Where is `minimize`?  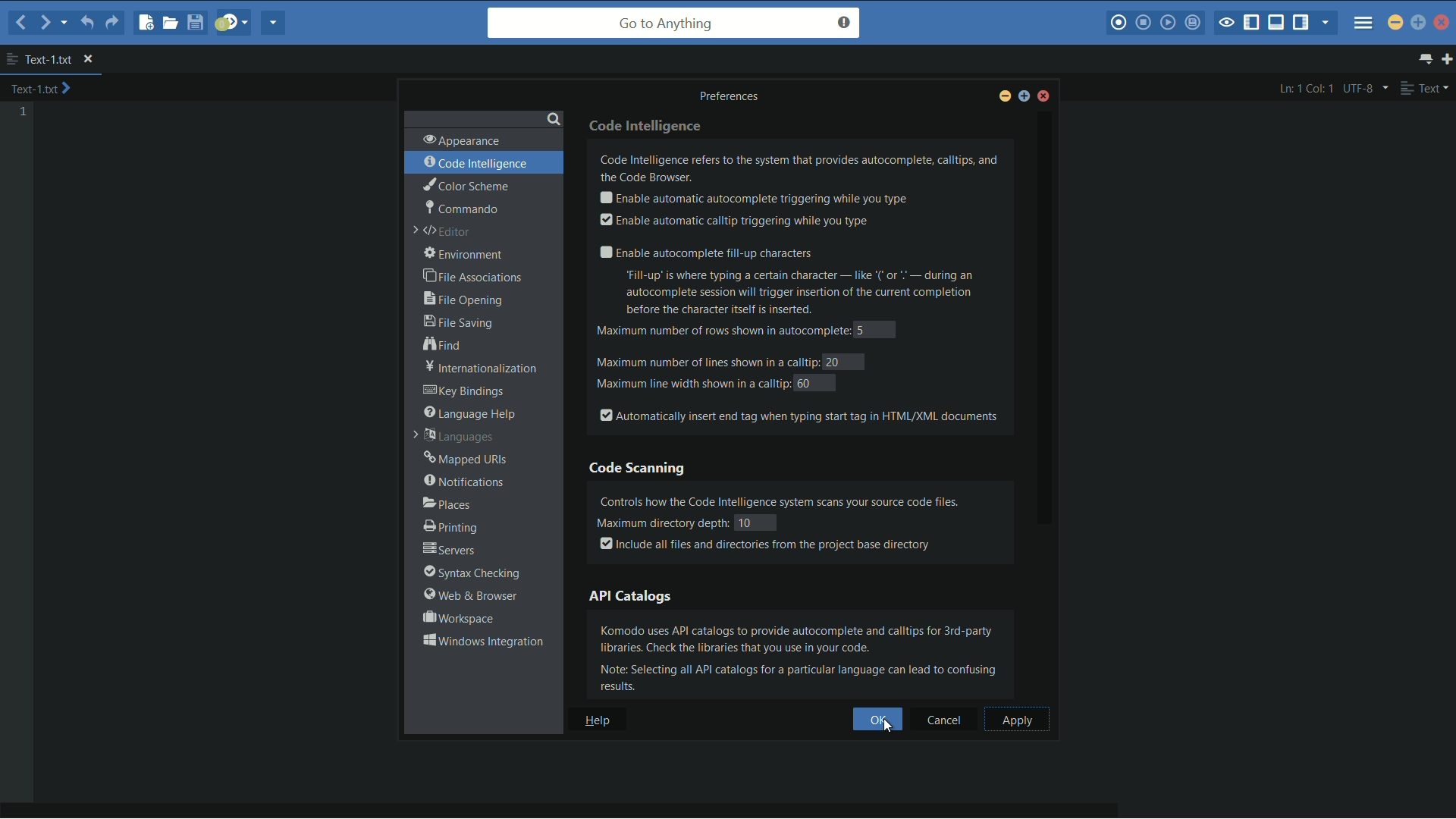 minimize is located at coordinates (1395, 21).